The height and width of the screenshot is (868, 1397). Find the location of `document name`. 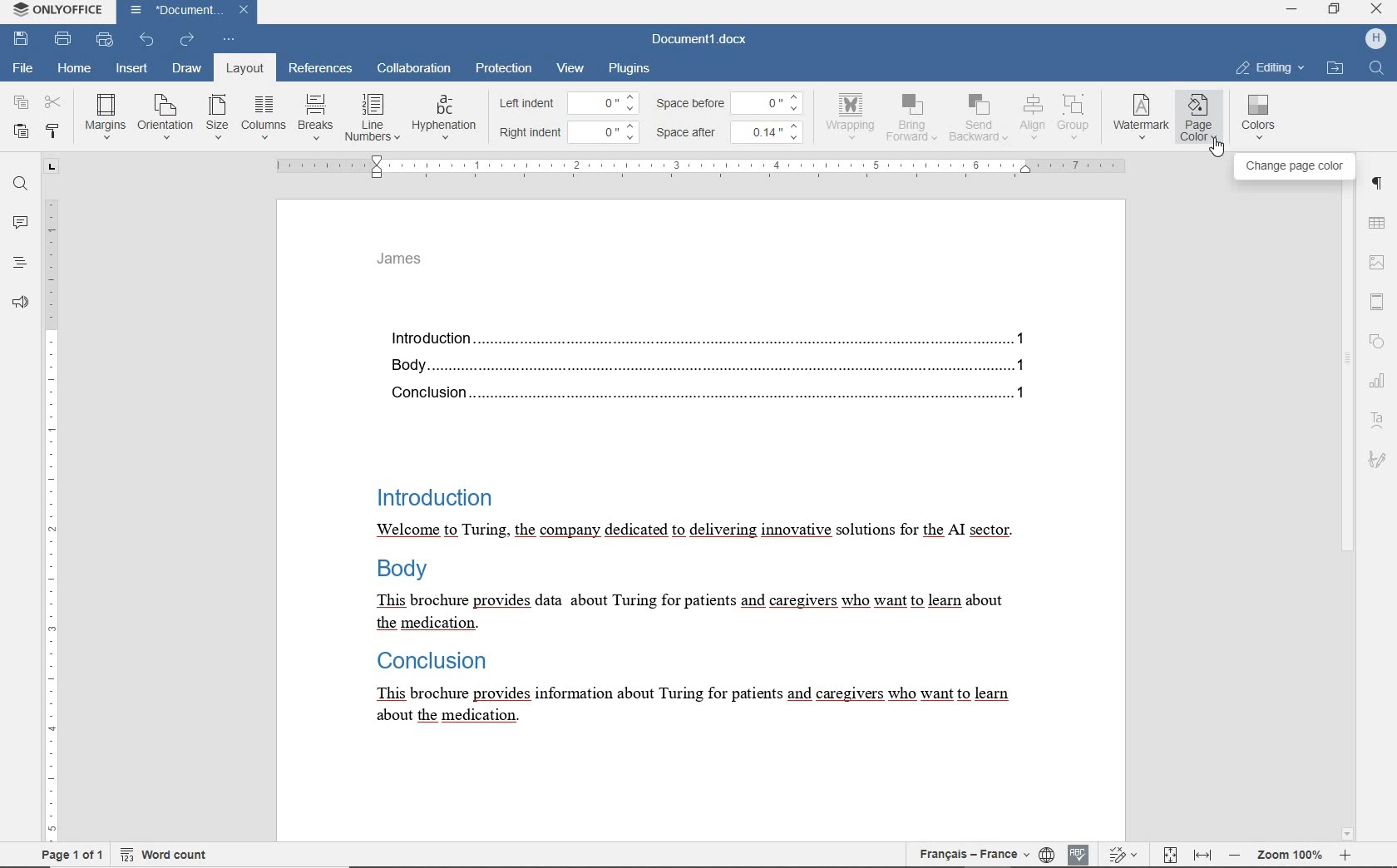

document name is located at coordinates (701, 41).